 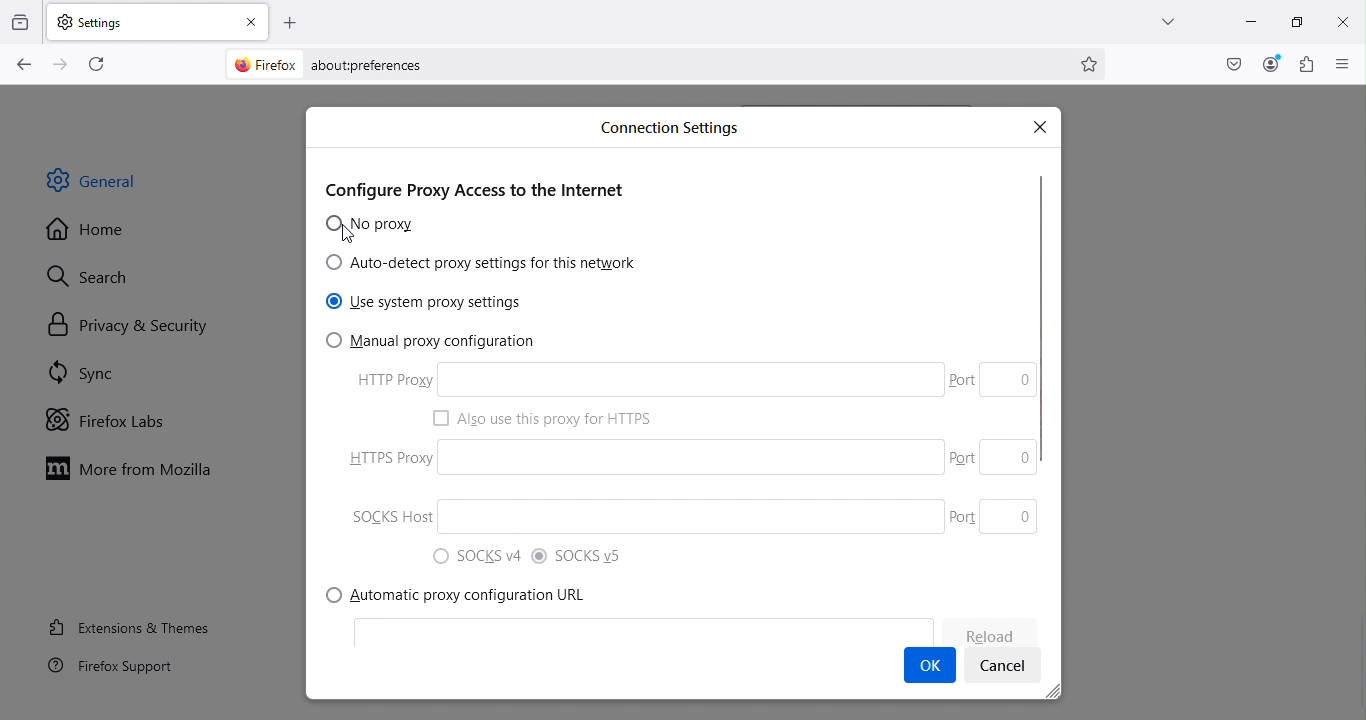 What do you see at coordinates (119, 324) in the screenshot?
I see `Privacy and security` at bounding box center [119, 324].